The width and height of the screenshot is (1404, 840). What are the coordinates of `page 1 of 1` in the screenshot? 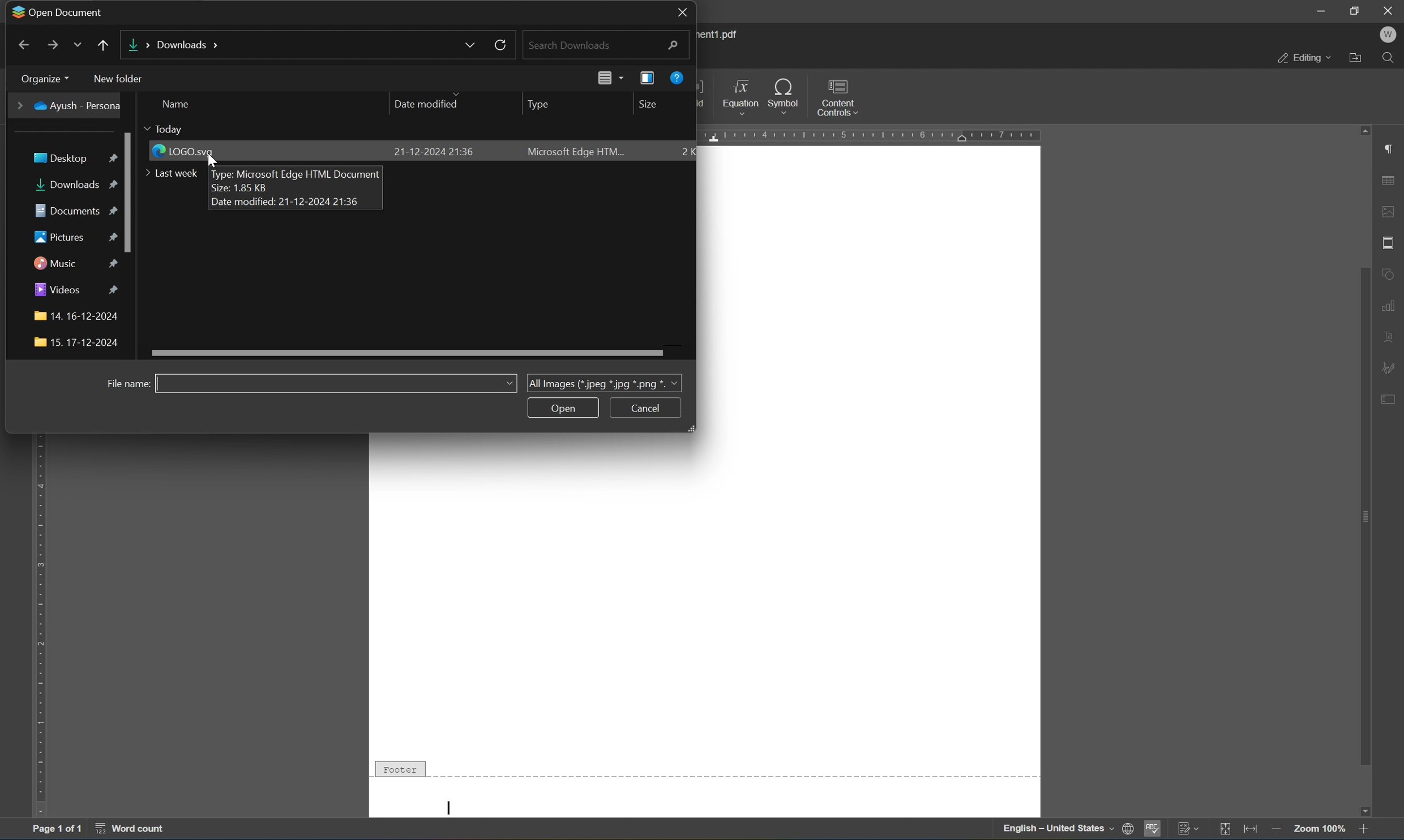 It's located at (59, 826).